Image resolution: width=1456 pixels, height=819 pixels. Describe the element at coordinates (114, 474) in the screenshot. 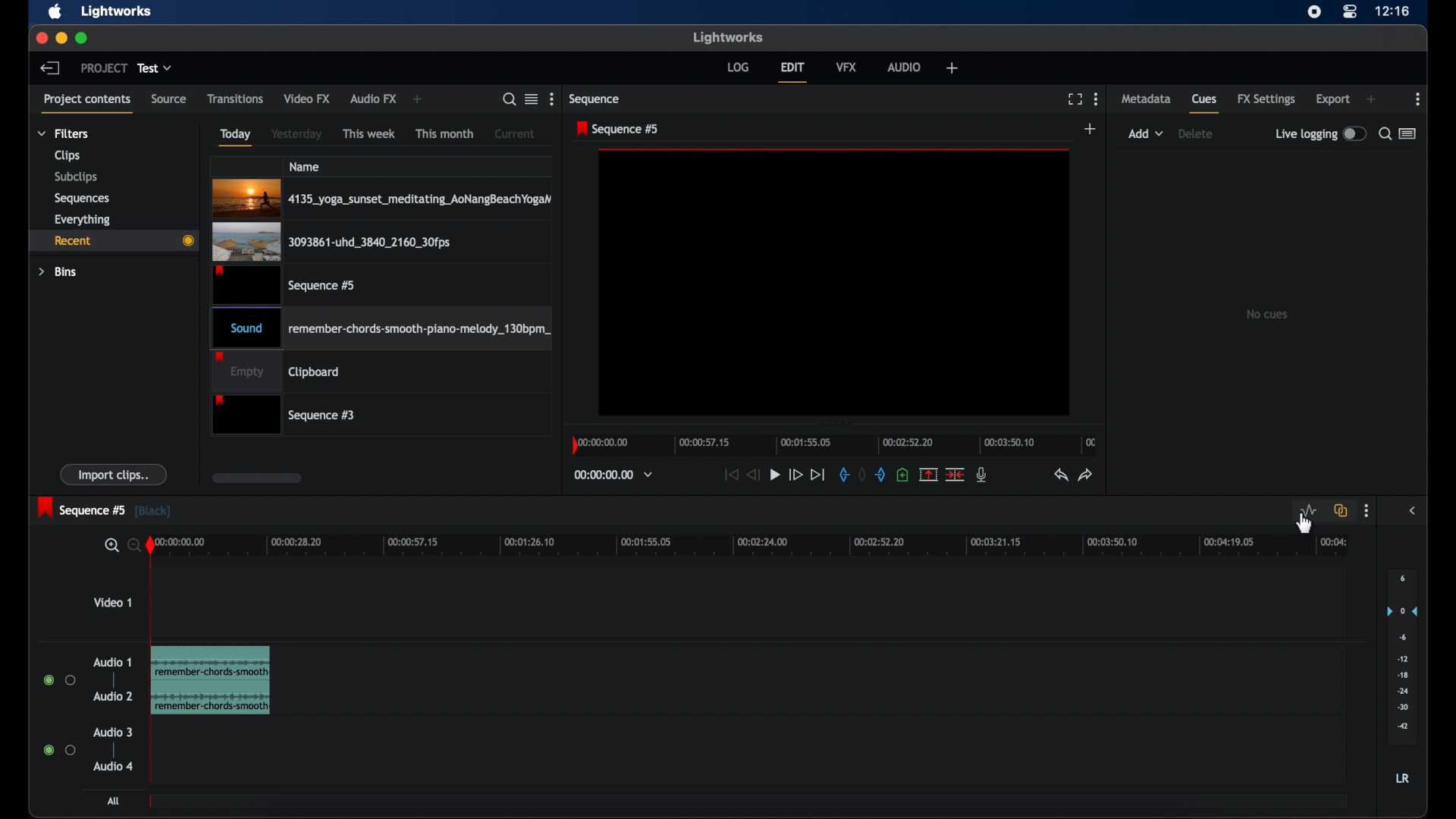

I see `import clips` at that location.